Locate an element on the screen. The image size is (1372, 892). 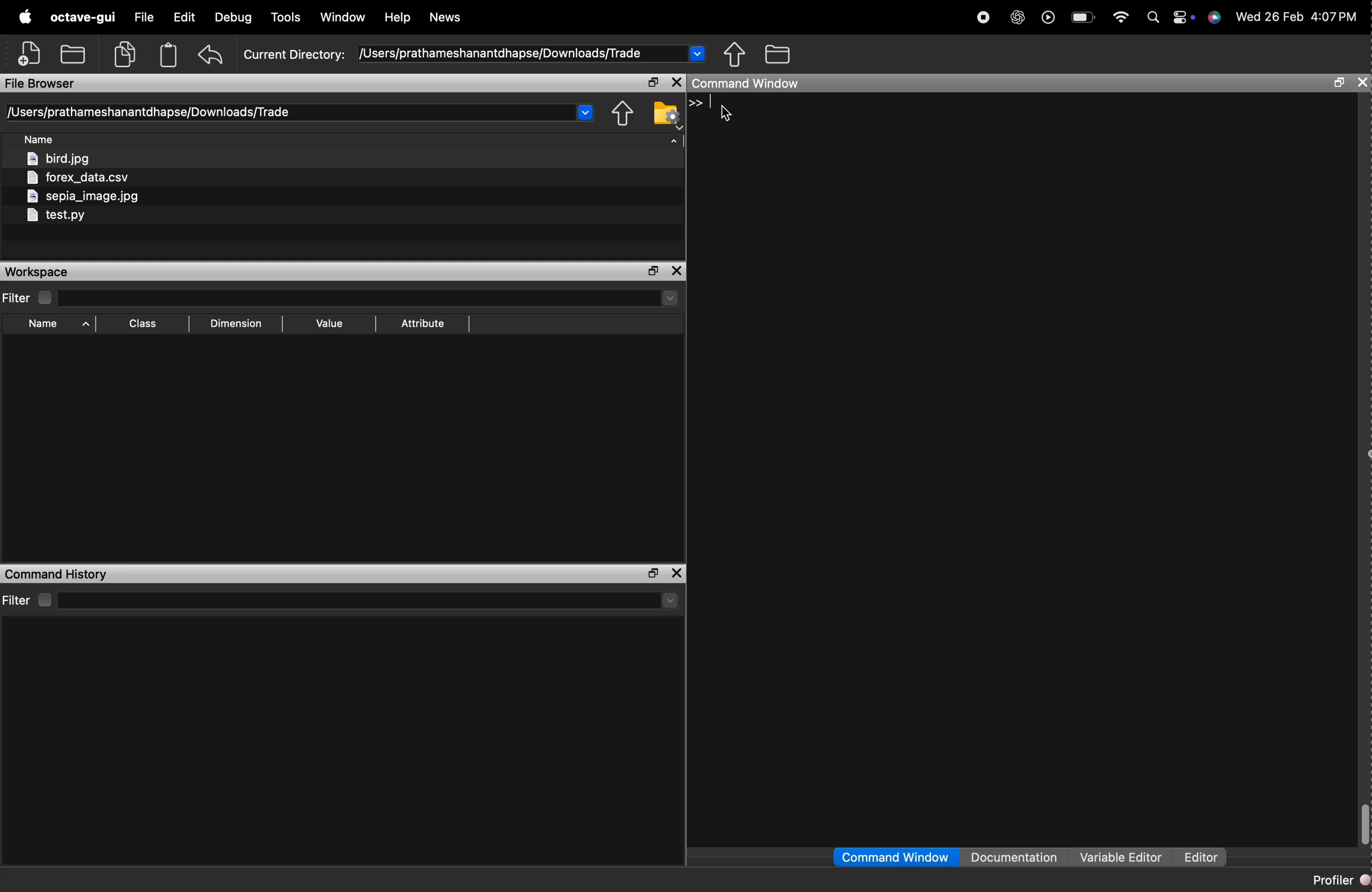
Wed 26 Feb 4:07PM is located at coordinates (1294, 18).